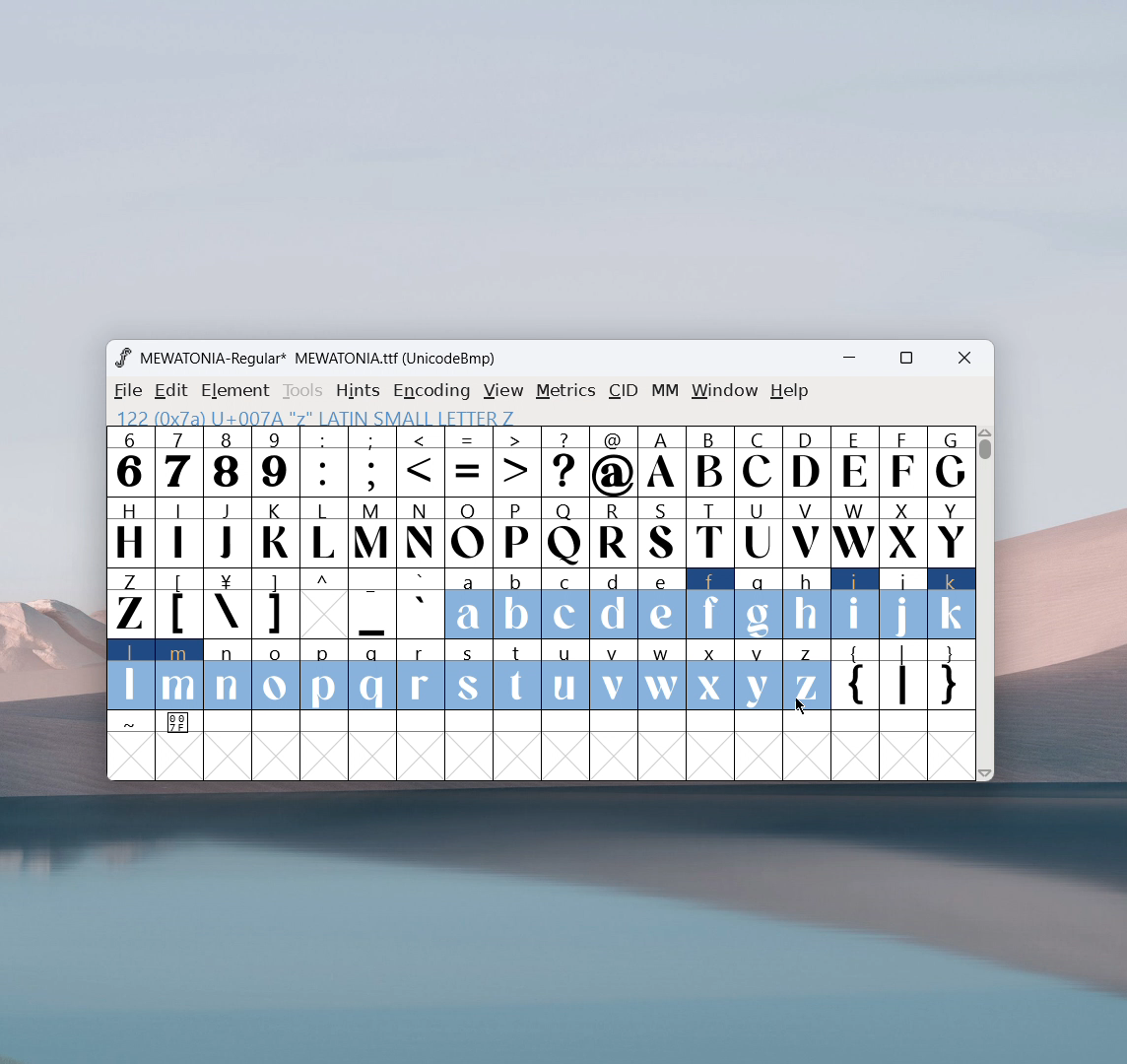 This screenshot has width=1127, height=1064. What do you see at coordinates (277, 677) in the screenshot?
I see `o` at bounding box center [277, 677].